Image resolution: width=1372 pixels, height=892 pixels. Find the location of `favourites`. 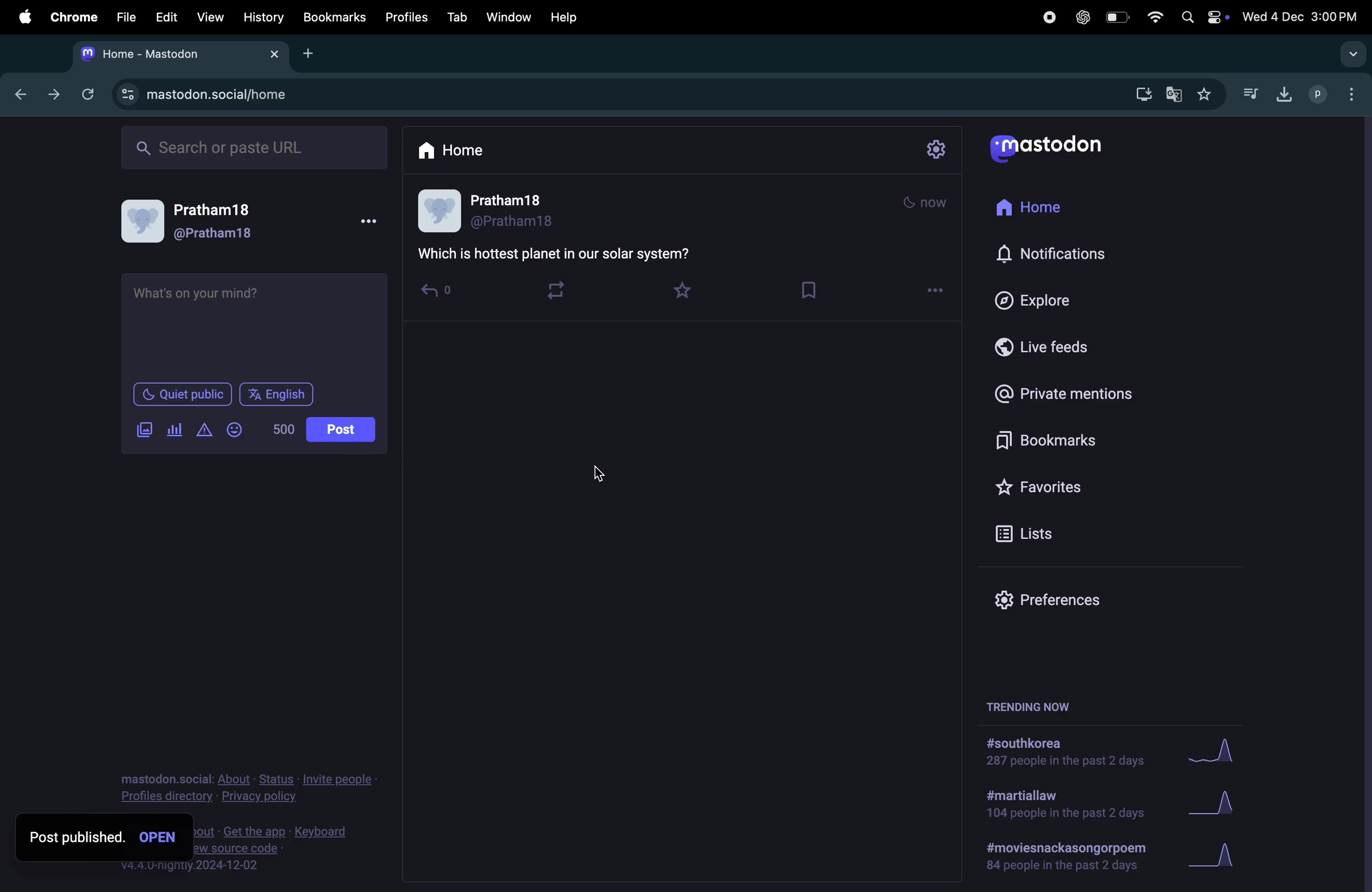

favourites is located at coordinates (1207, 92).